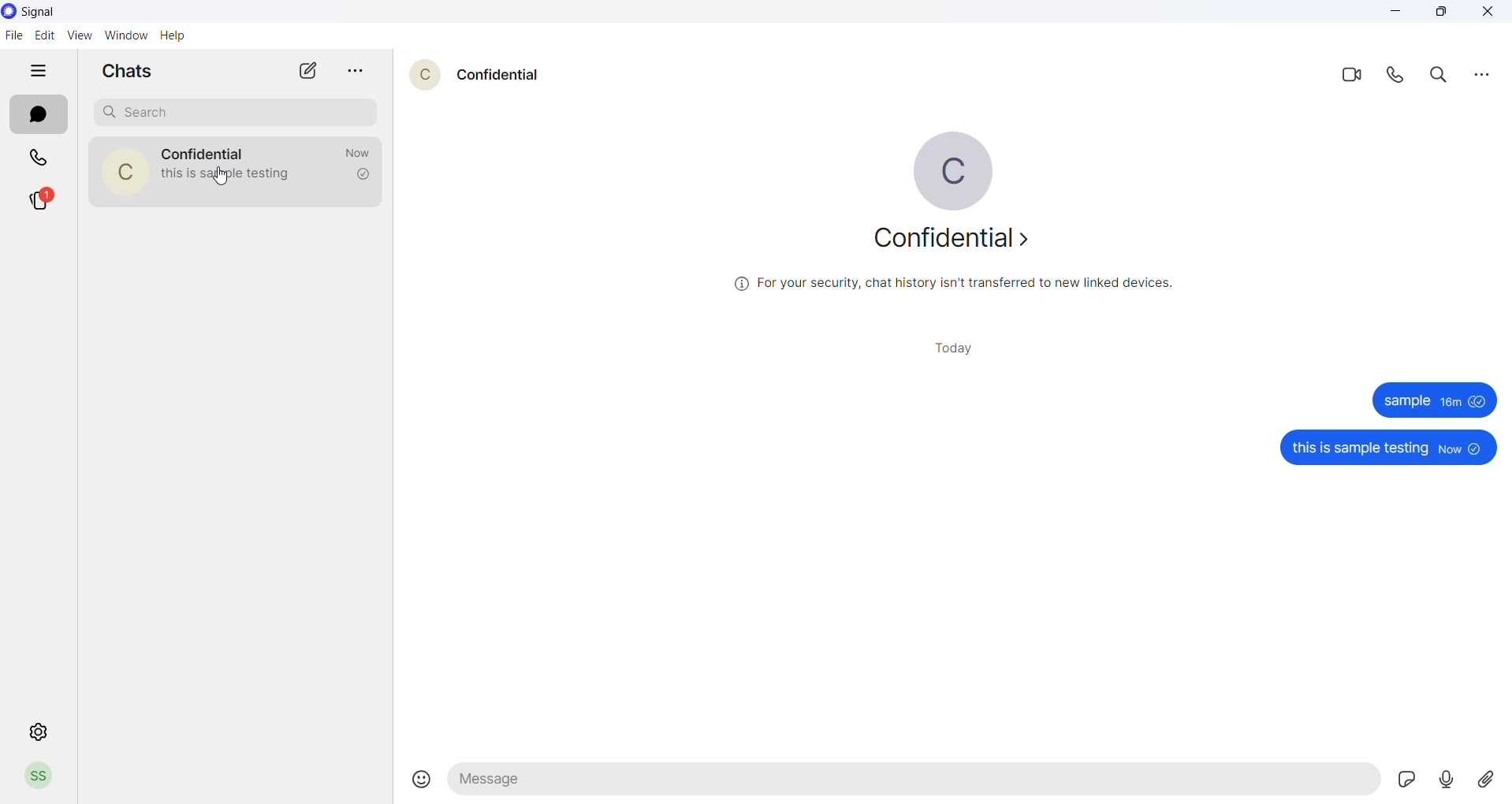  I want to click on now, so click(1451, 449).